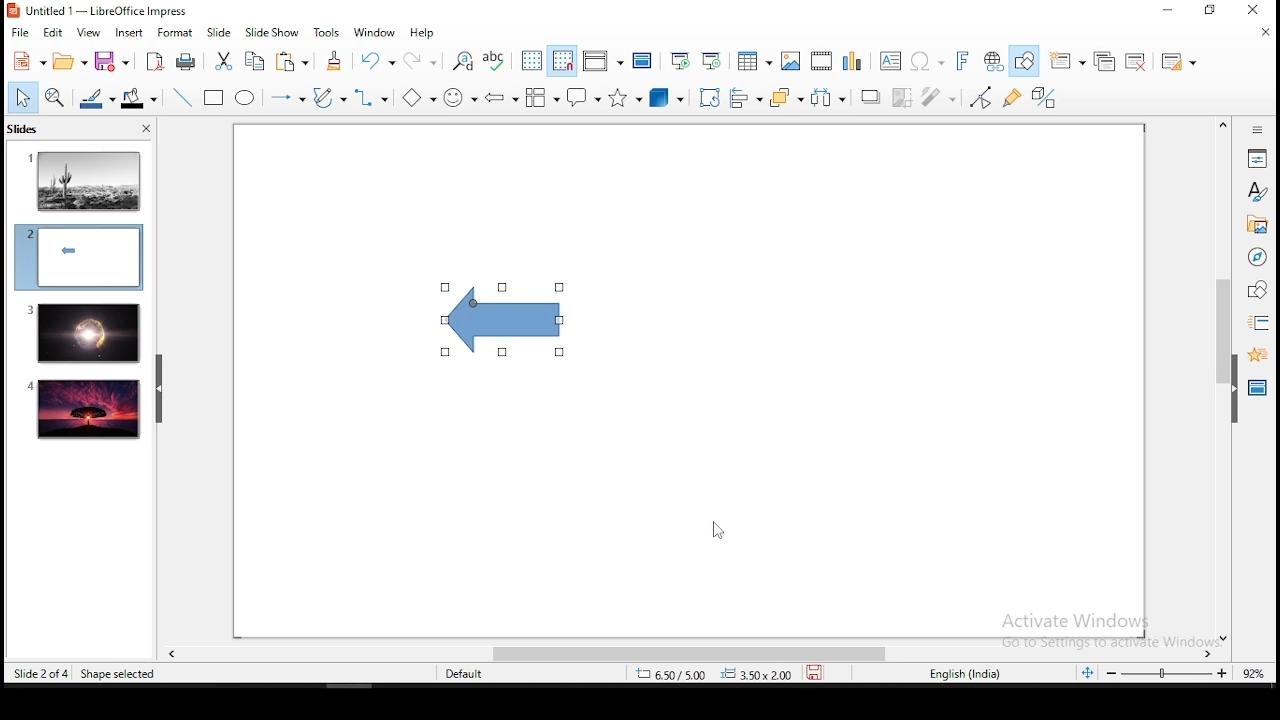 This screenshot has width=1280, height=720. Describe the element at coordinates (328, 33) in the screenshot. I see `tools` at that location.